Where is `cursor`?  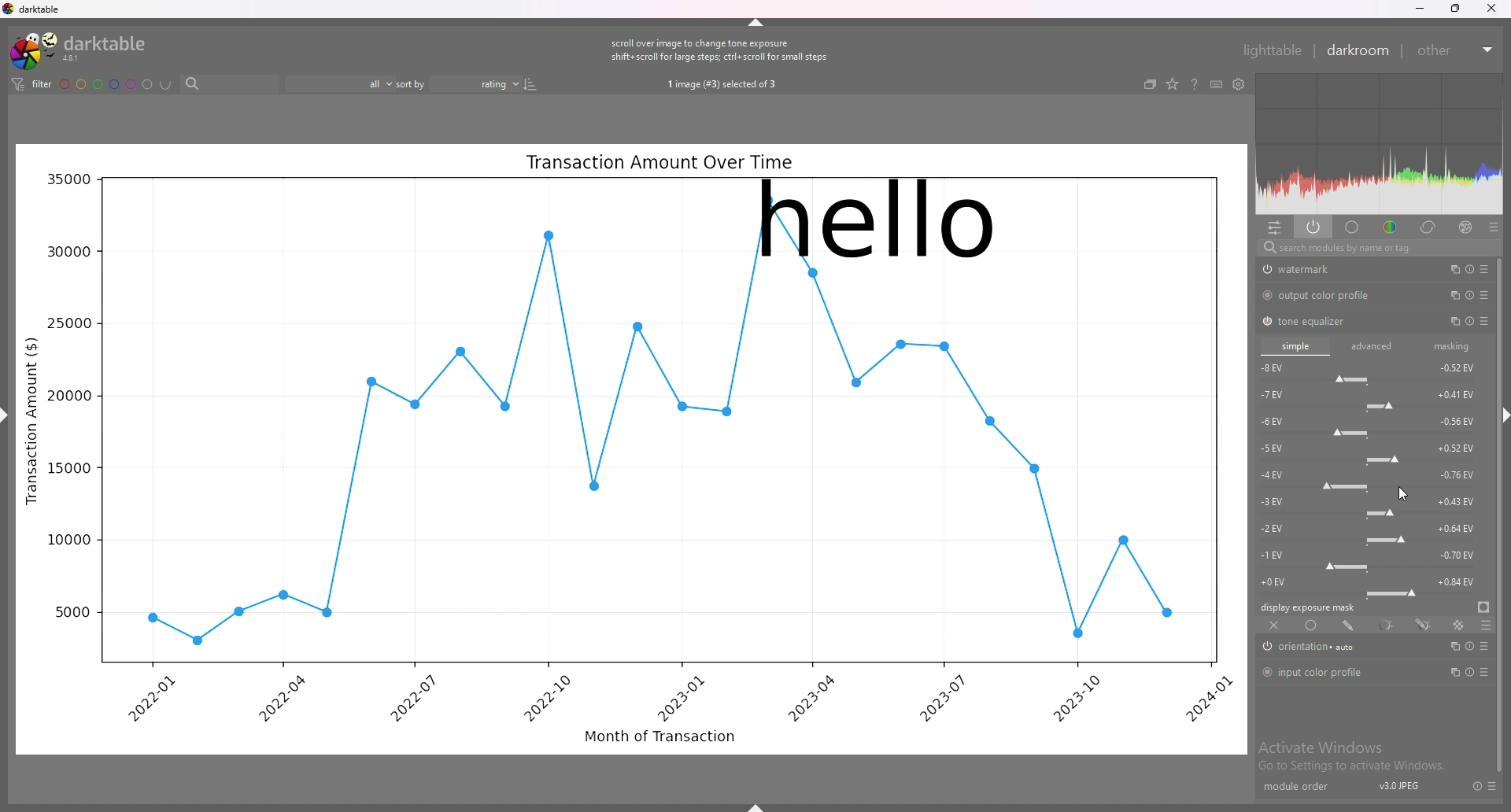
cursor is located at coordinates (1402, 493).